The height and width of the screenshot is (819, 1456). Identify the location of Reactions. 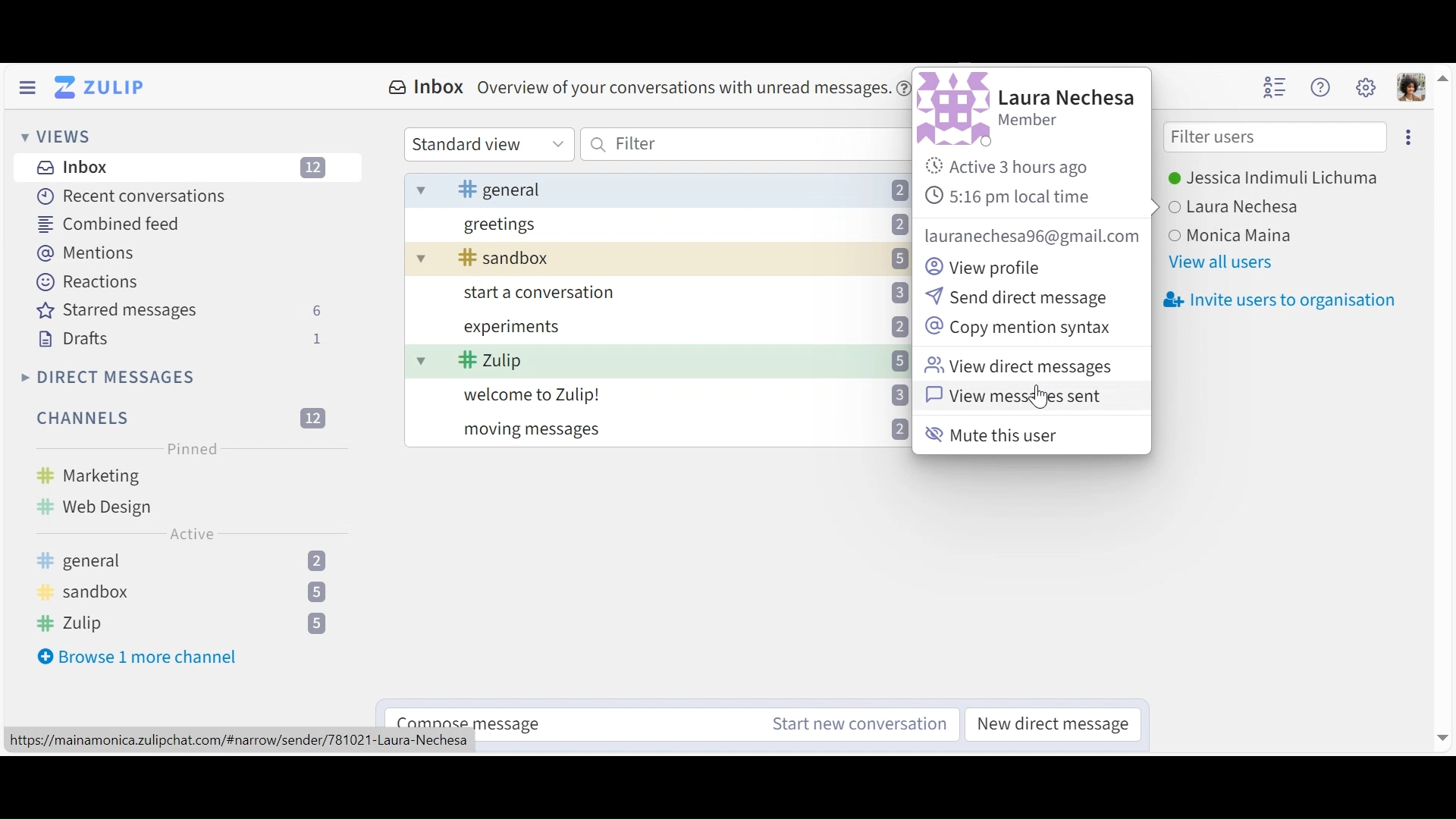
(89, 281).